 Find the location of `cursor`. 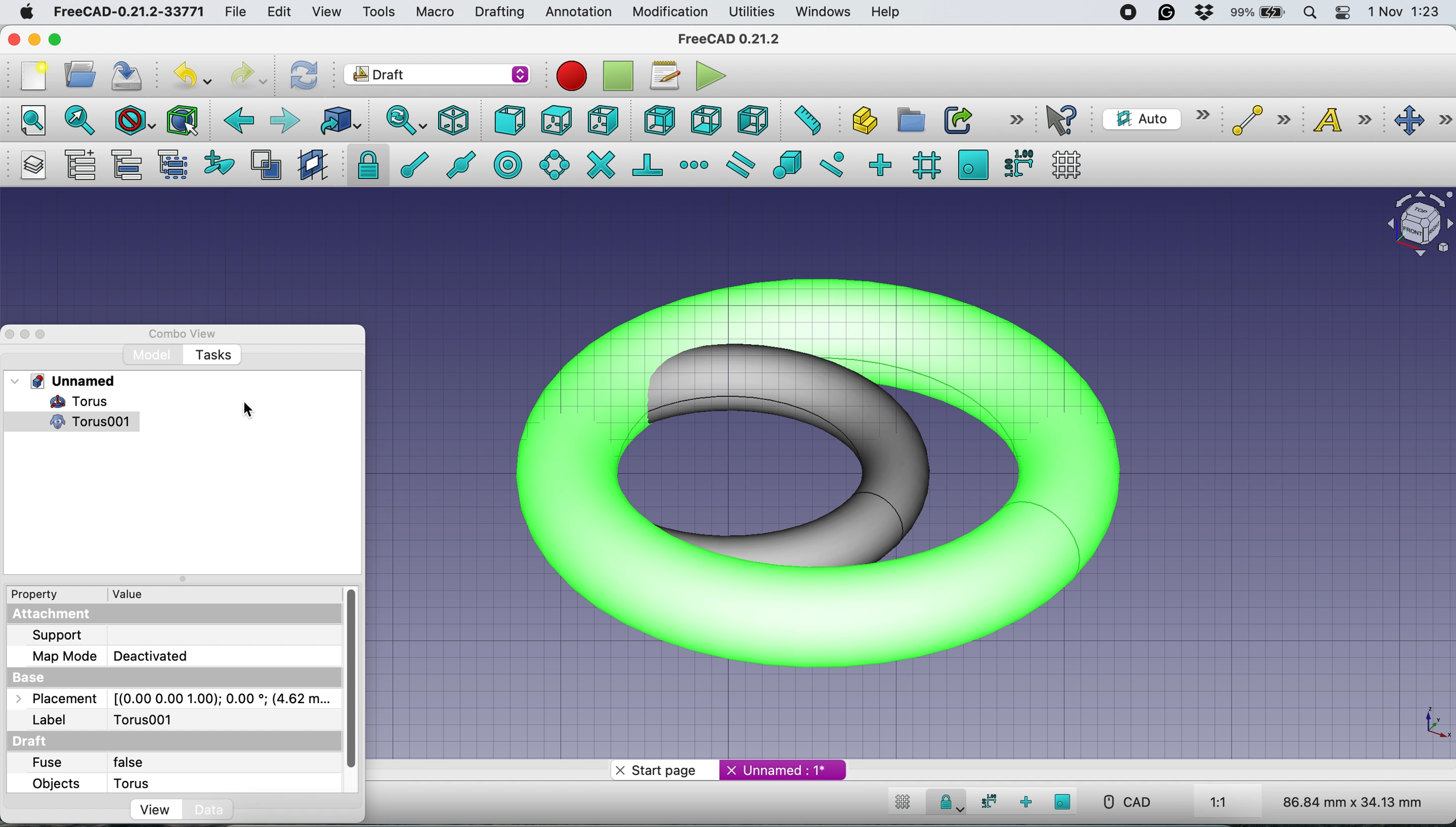

cursor is located at coordinates (246, 408).